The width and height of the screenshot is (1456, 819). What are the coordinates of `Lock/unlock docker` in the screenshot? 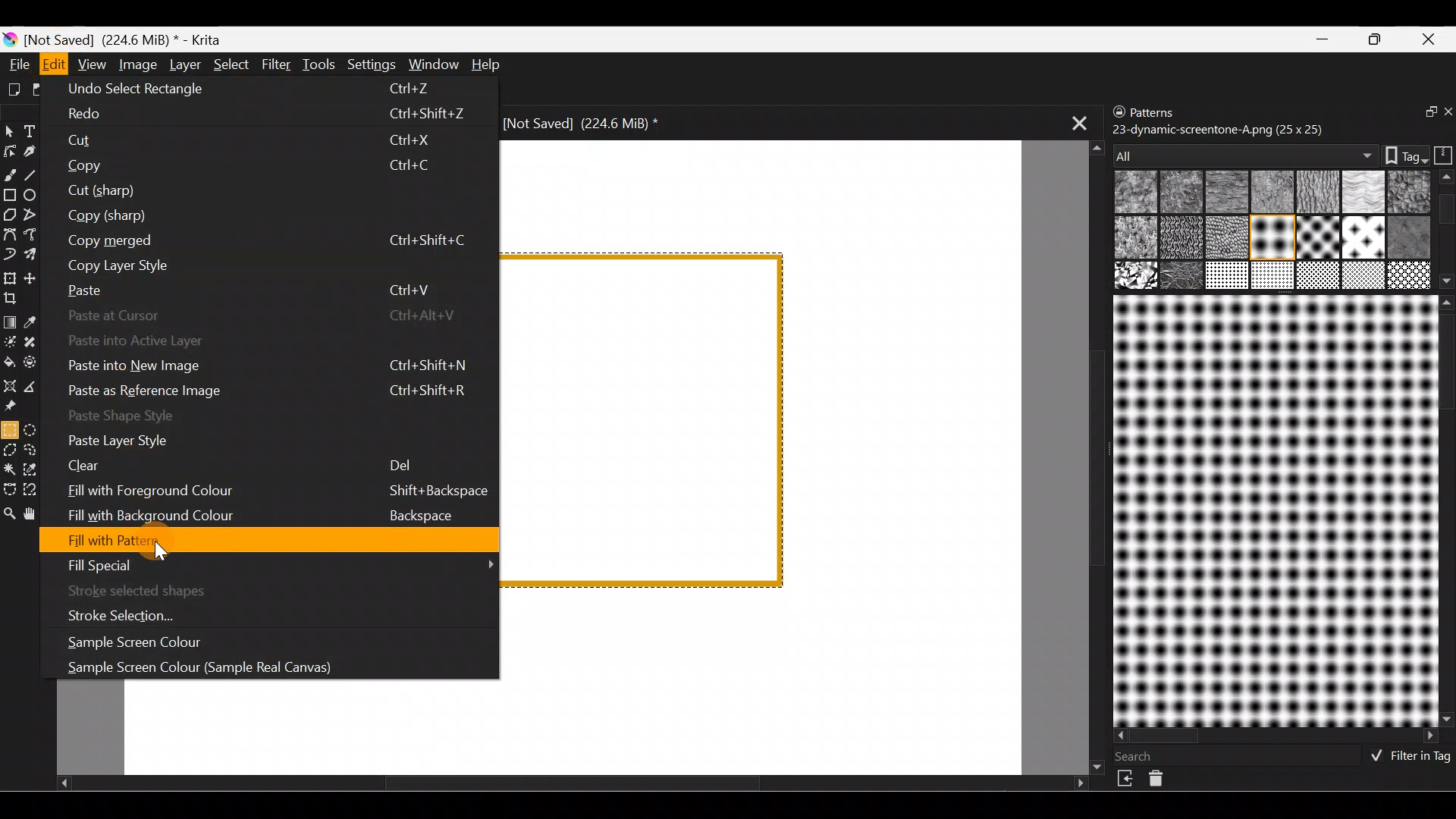 It's located at (1116, 113).